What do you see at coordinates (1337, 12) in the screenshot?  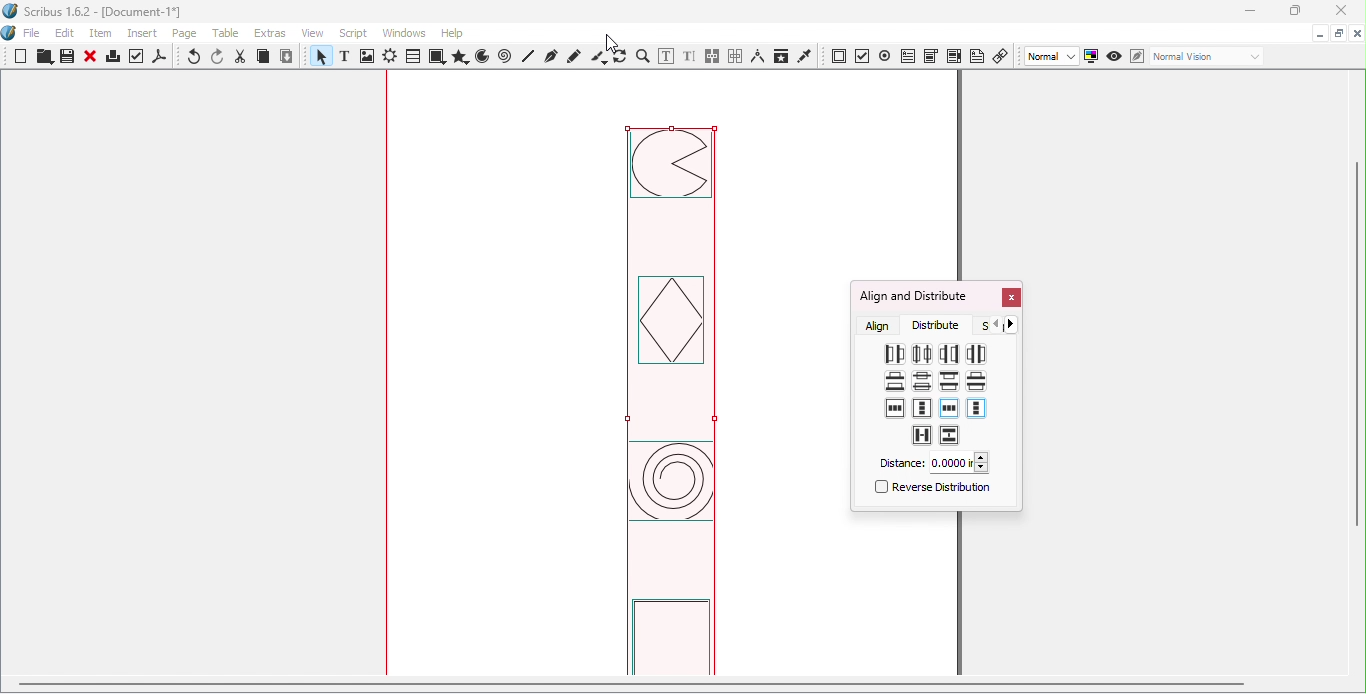 I see `Close` at bounding box center [1337, 12].